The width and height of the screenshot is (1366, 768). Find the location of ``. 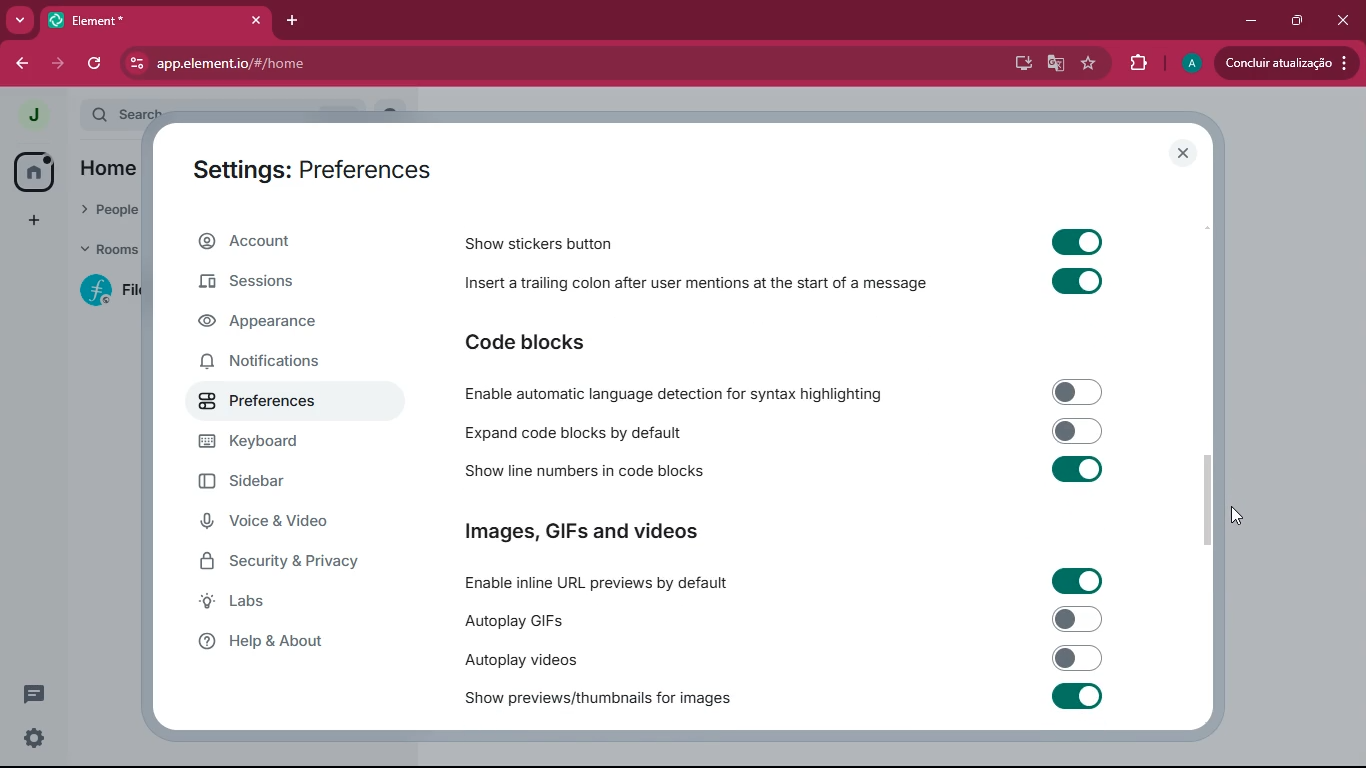

 is located at coordinates (1077, 283).